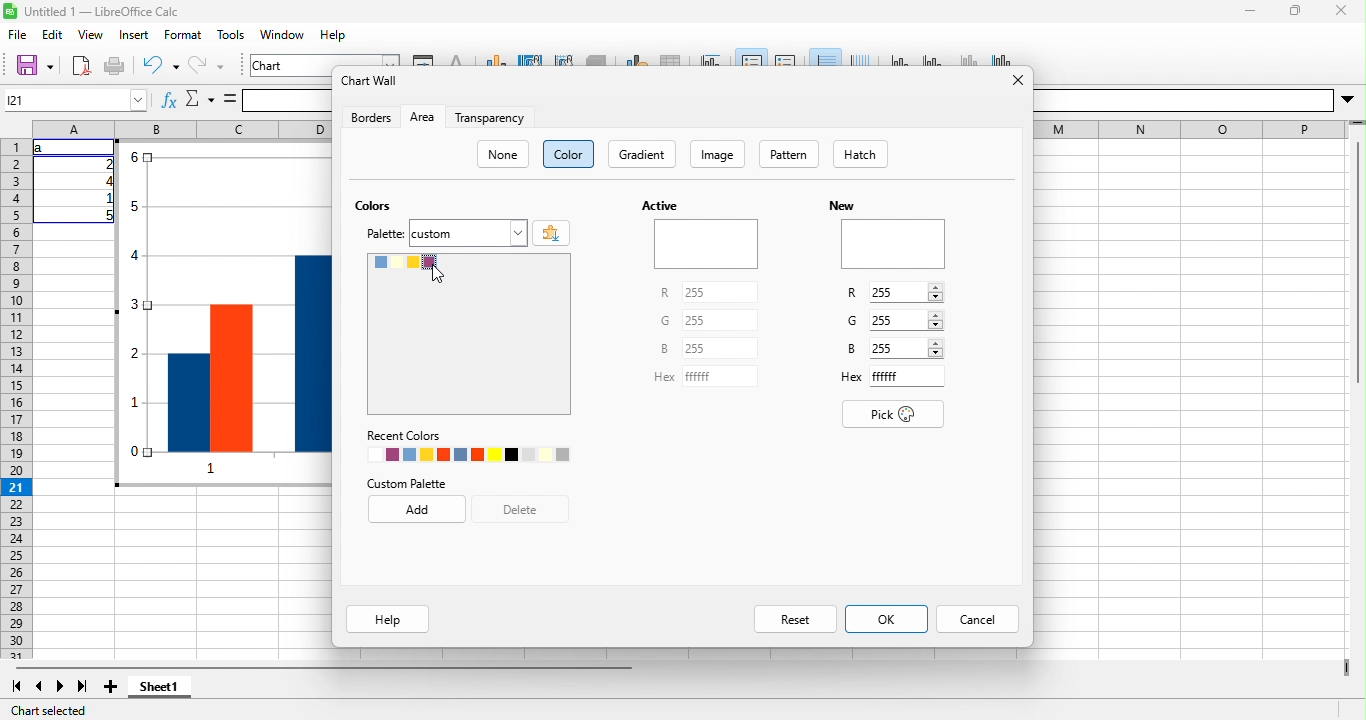 This screenshot has width=1366, height=720. I want to click on sheet1, so click(159, 686).